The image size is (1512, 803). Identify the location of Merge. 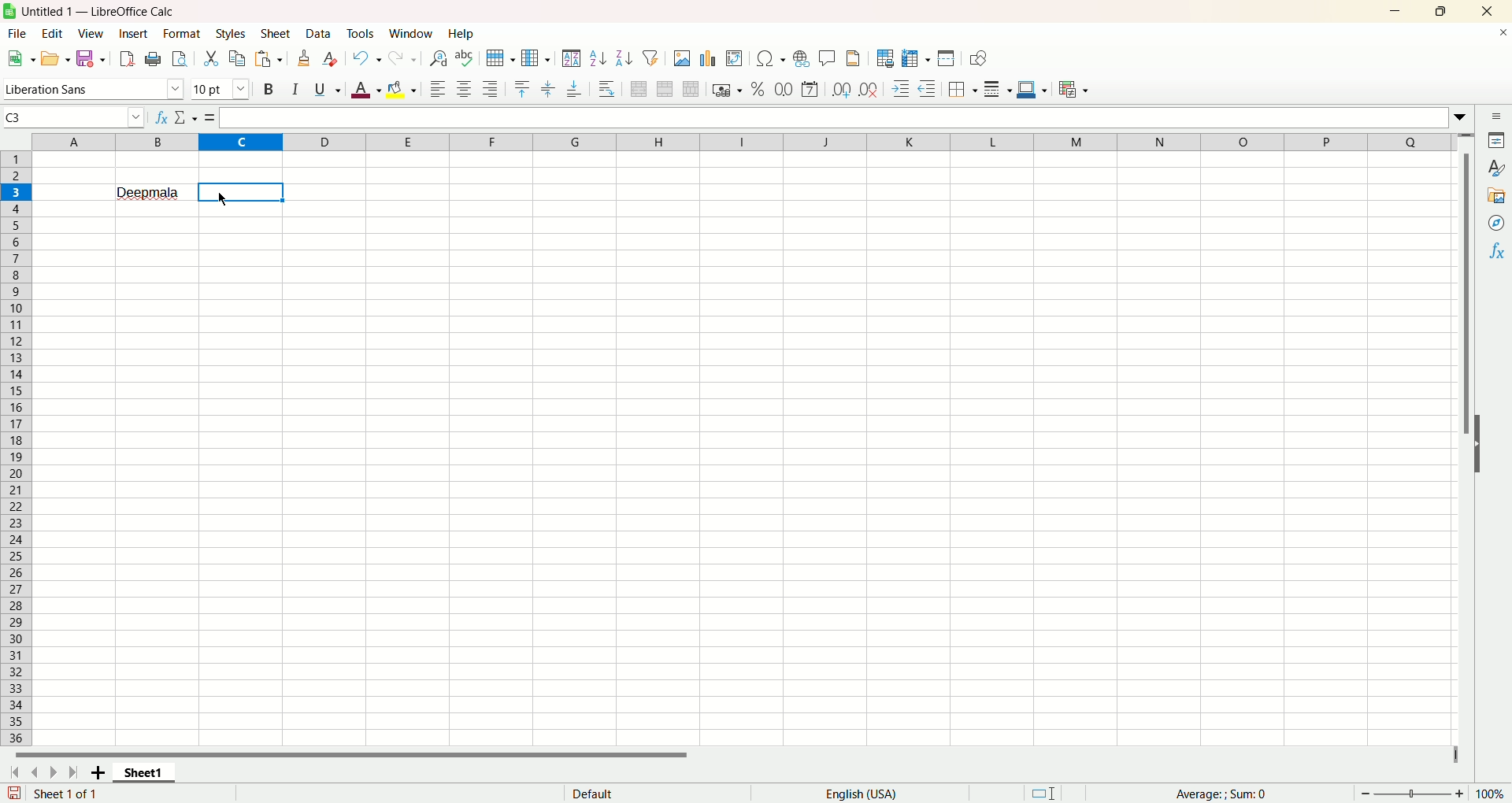
(665, 89).